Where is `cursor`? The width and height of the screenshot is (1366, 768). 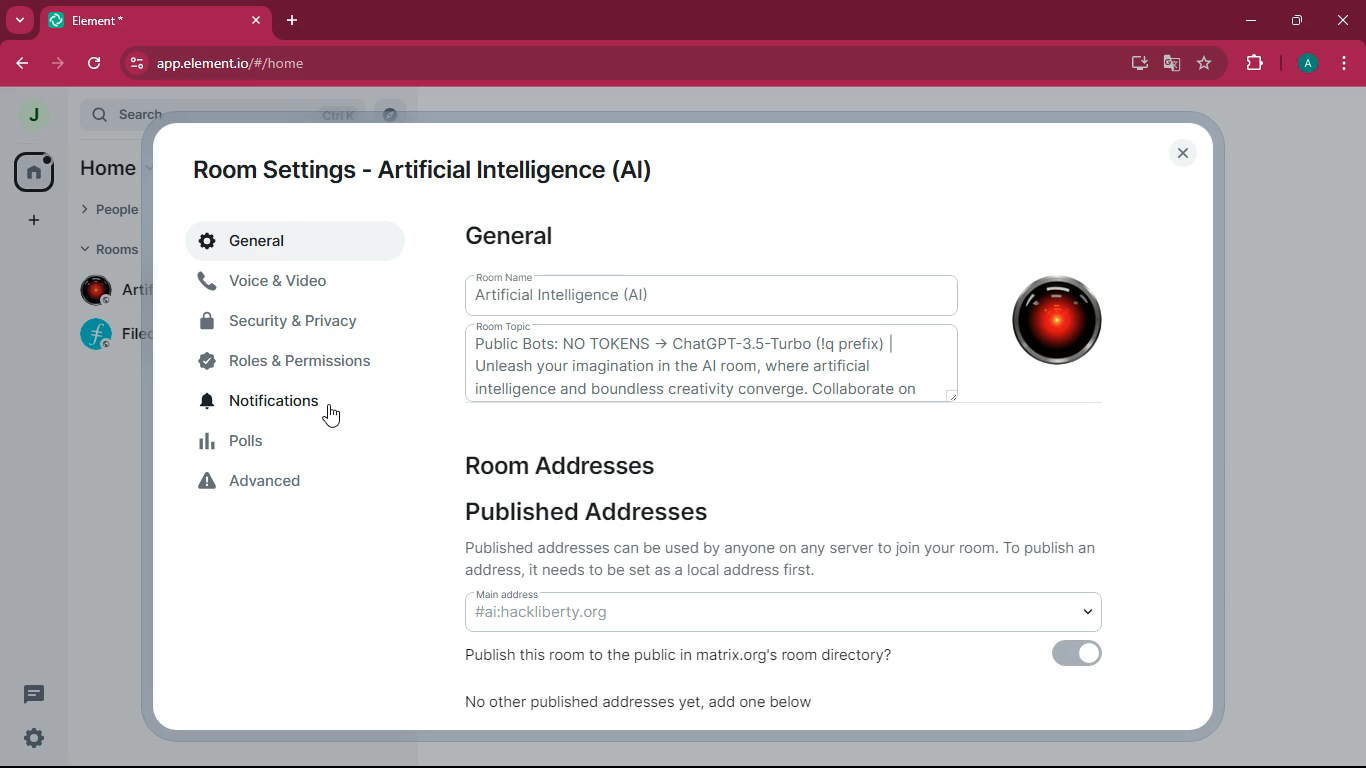 cursor is located at coordinates (338, 415).